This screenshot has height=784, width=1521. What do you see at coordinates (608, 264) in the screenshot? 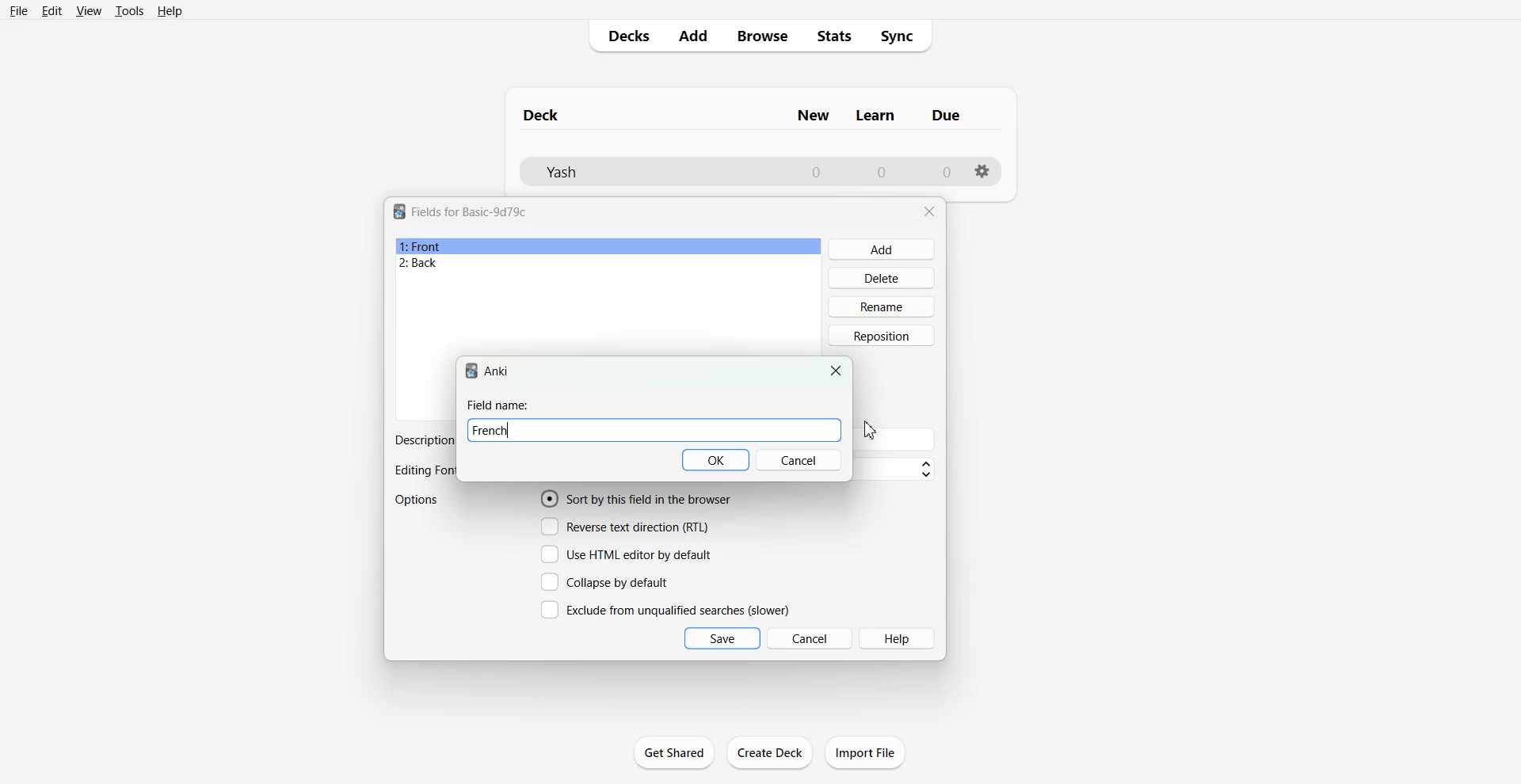
I see `Back` at bounding box center [608, 264].